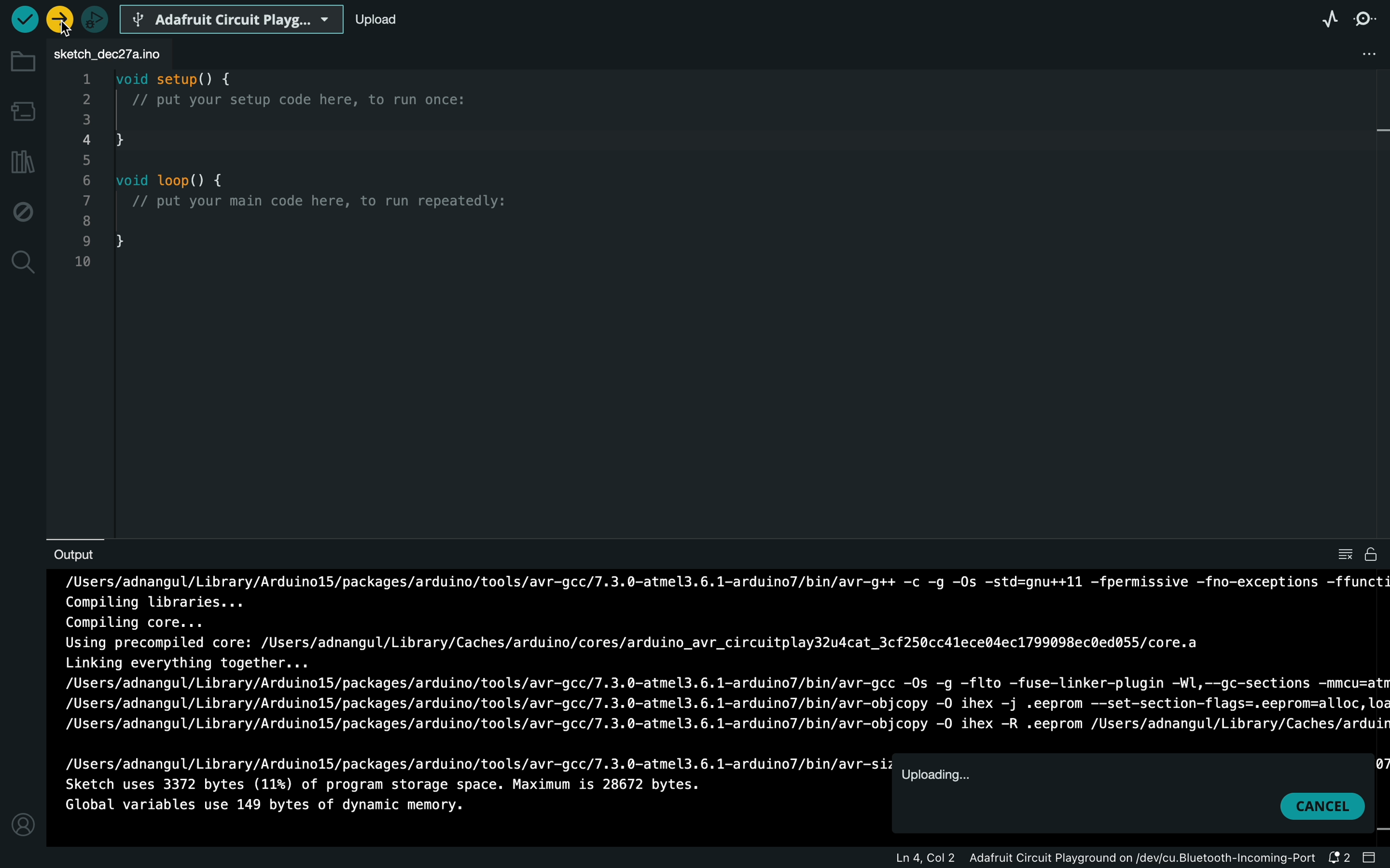 This screenshot has height=868, width=1390. What do you see at coordinates (1372, 56) in the screenshot?
I see `file setting` at bounding box center [1372, 56].